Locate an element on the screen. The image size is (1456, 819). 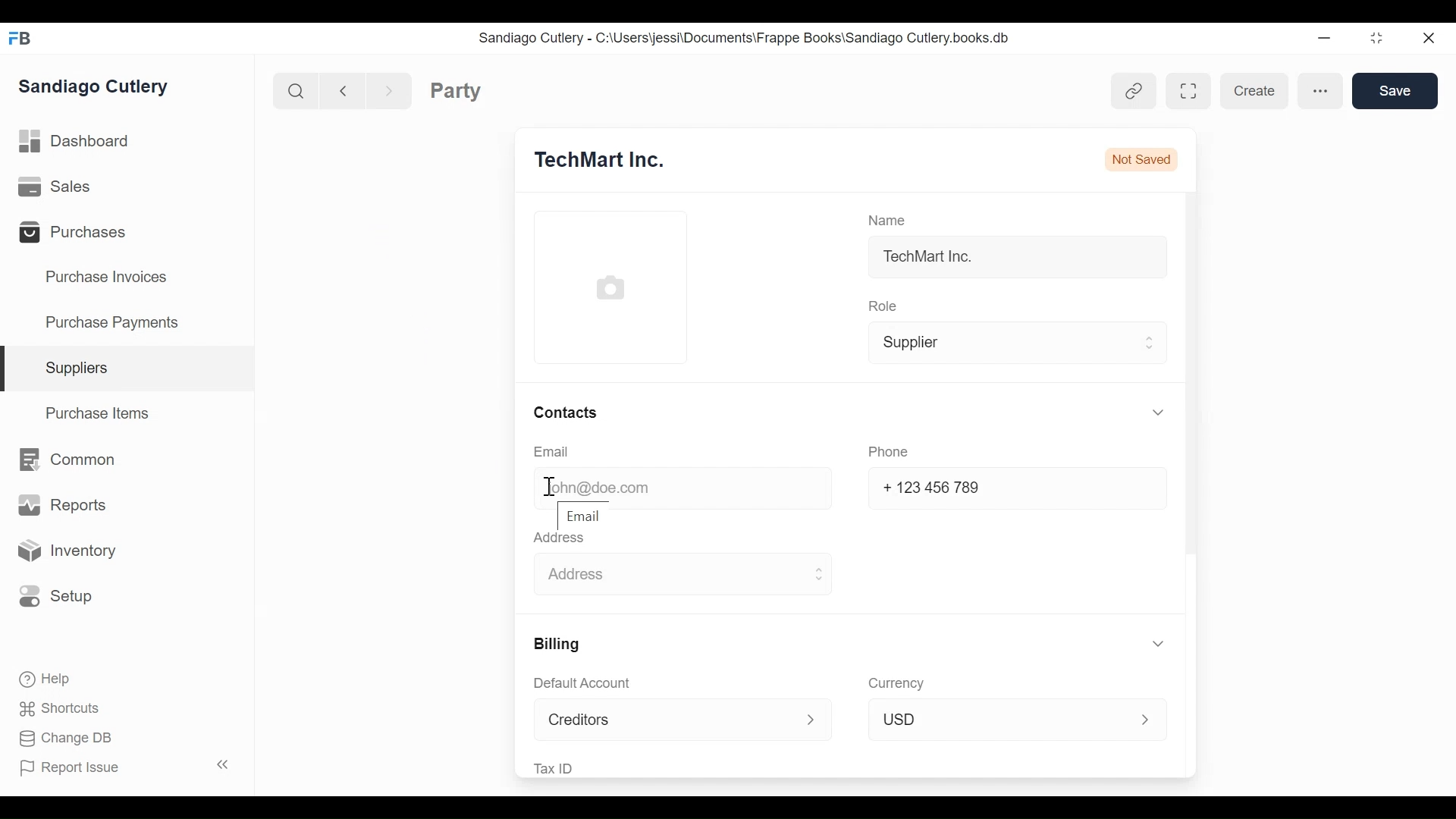
Phone is located at coordinates (887, 452).